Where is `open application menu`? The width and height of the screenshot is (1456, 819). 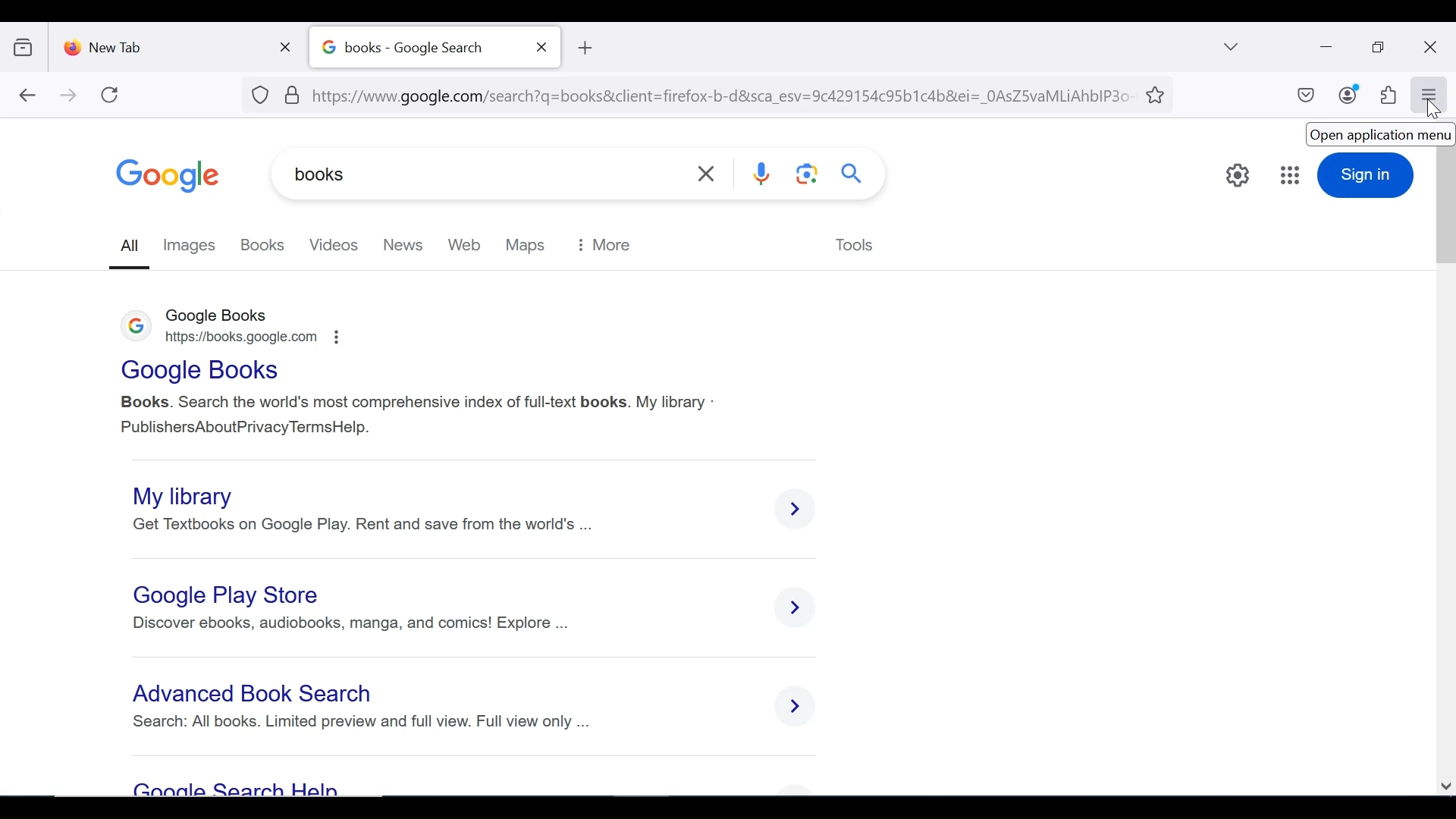
open application menu is located at coordinates (1428, 95).